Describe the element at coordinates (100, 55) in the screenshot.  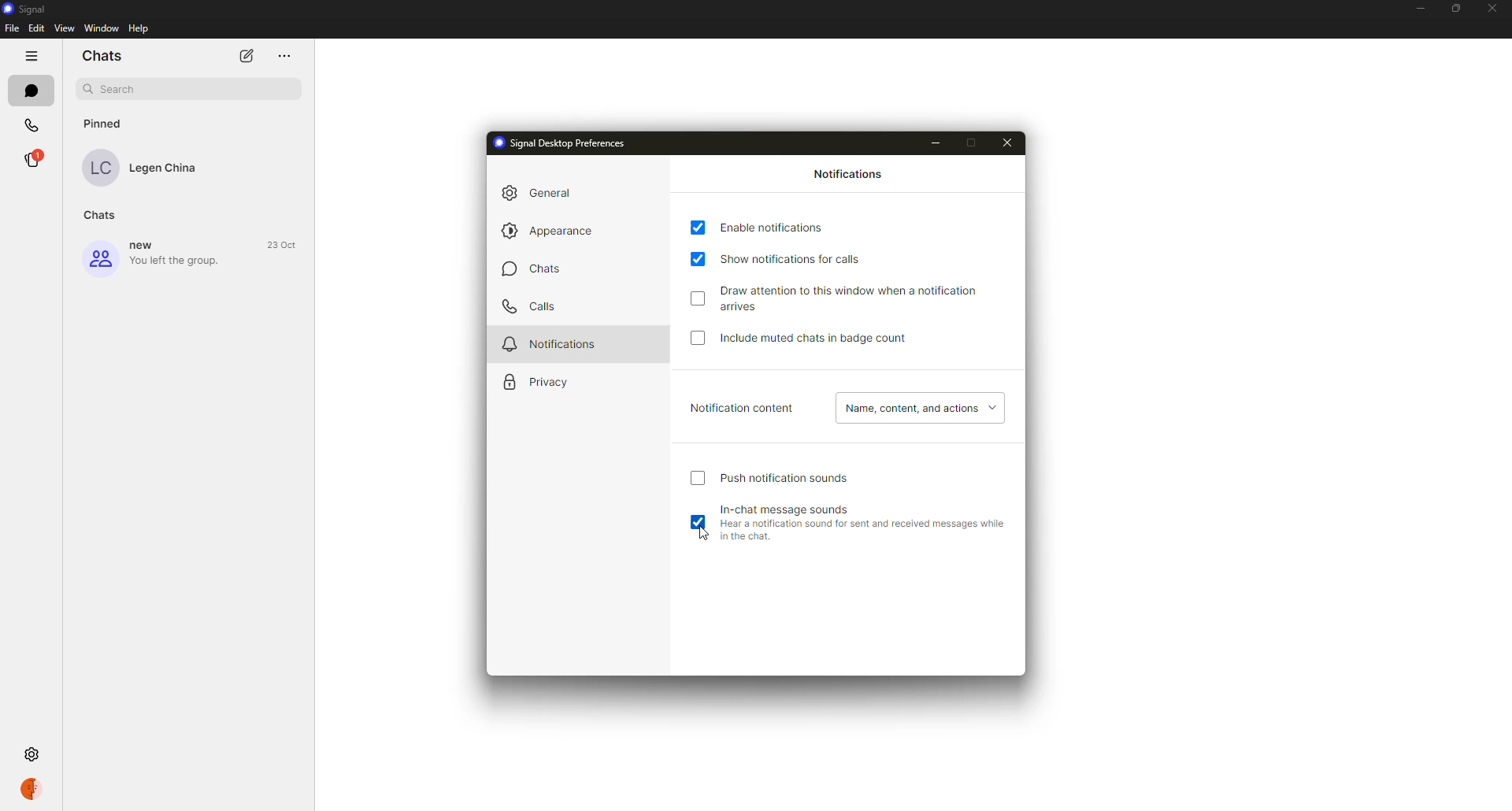
I see `Chats` at that location.